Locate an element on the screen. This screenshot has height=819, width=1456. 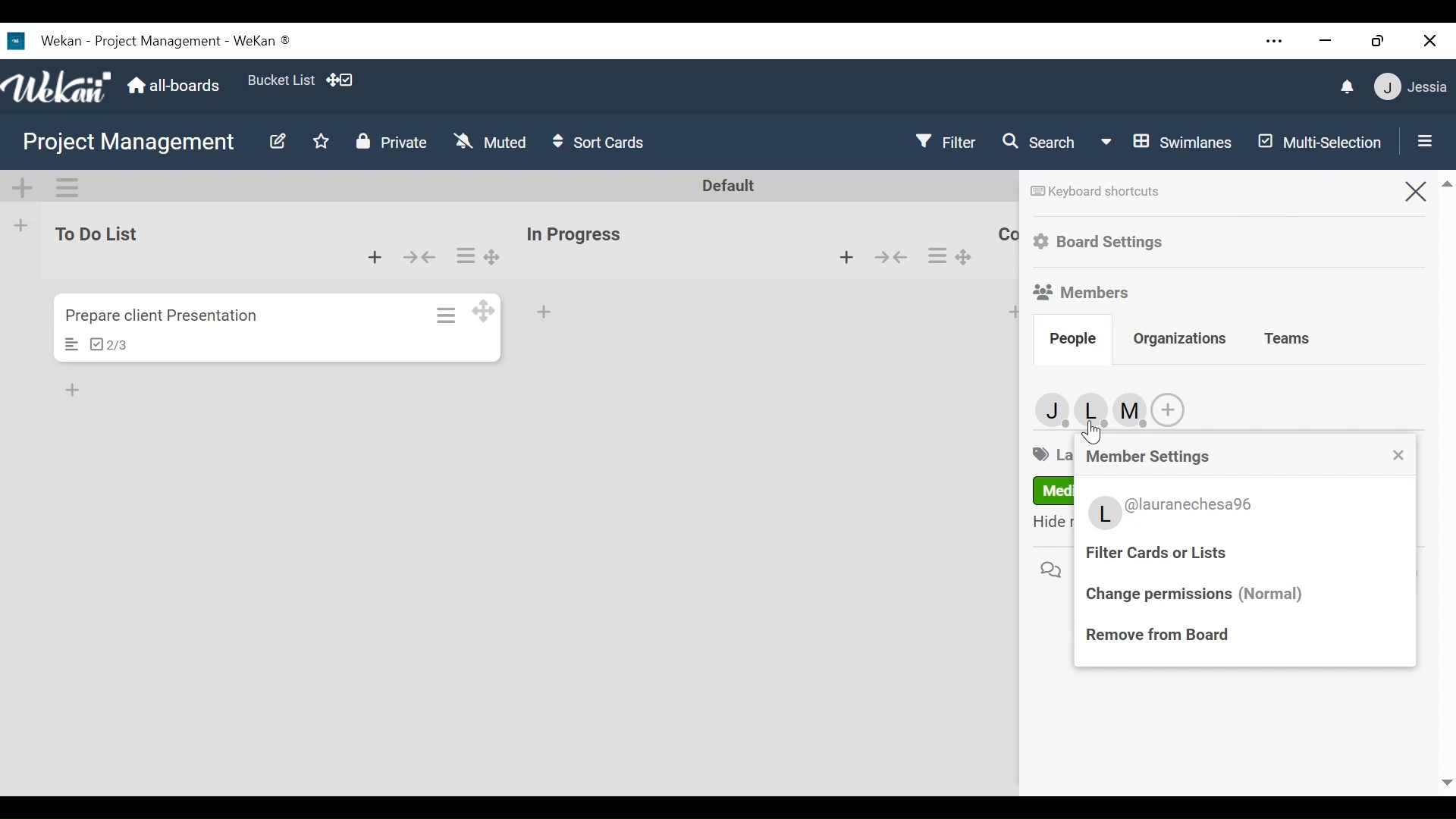
Collapse is located at coordinates (891, 256).